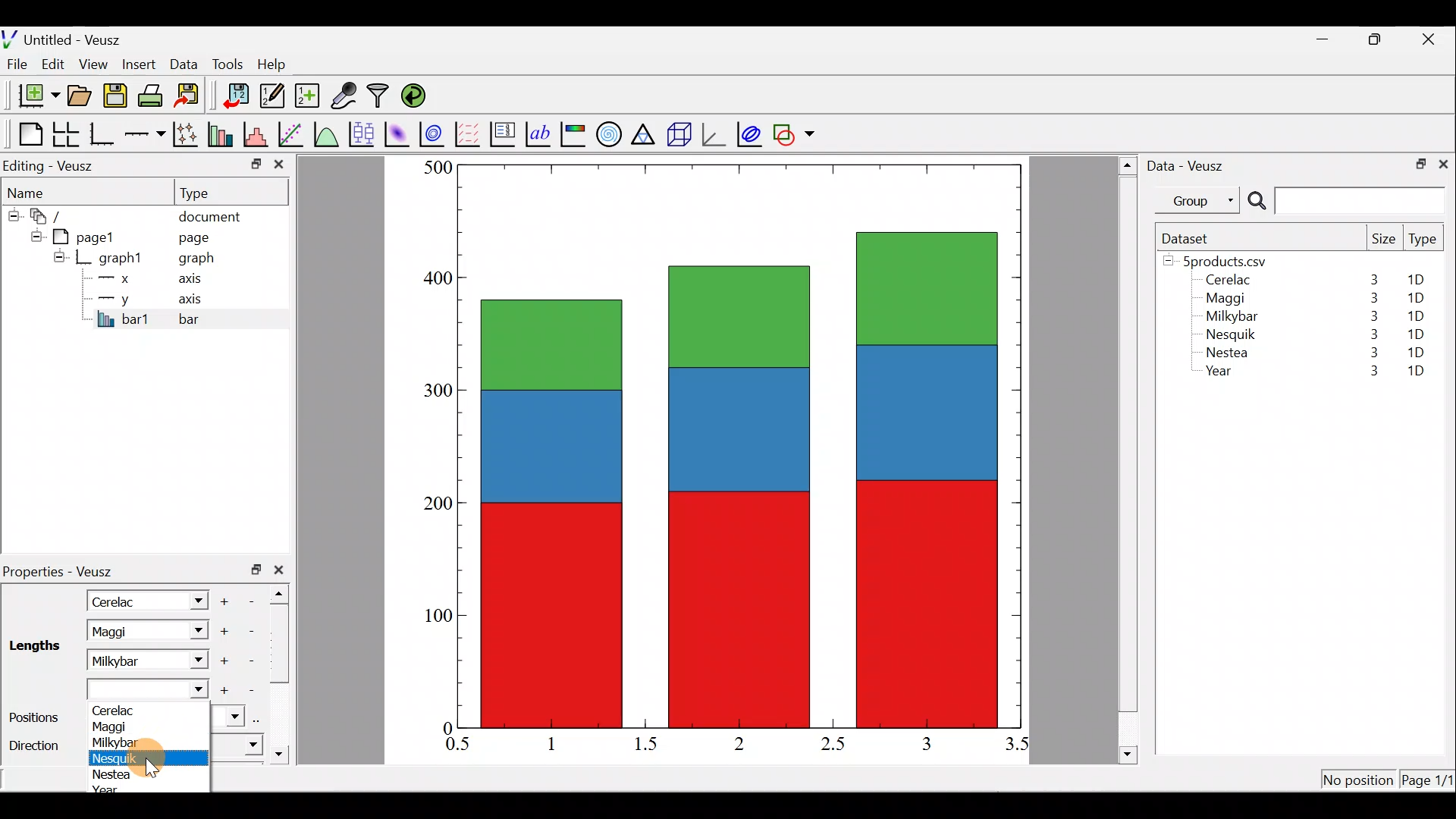  I want to click on restore down, so click(256, 570).